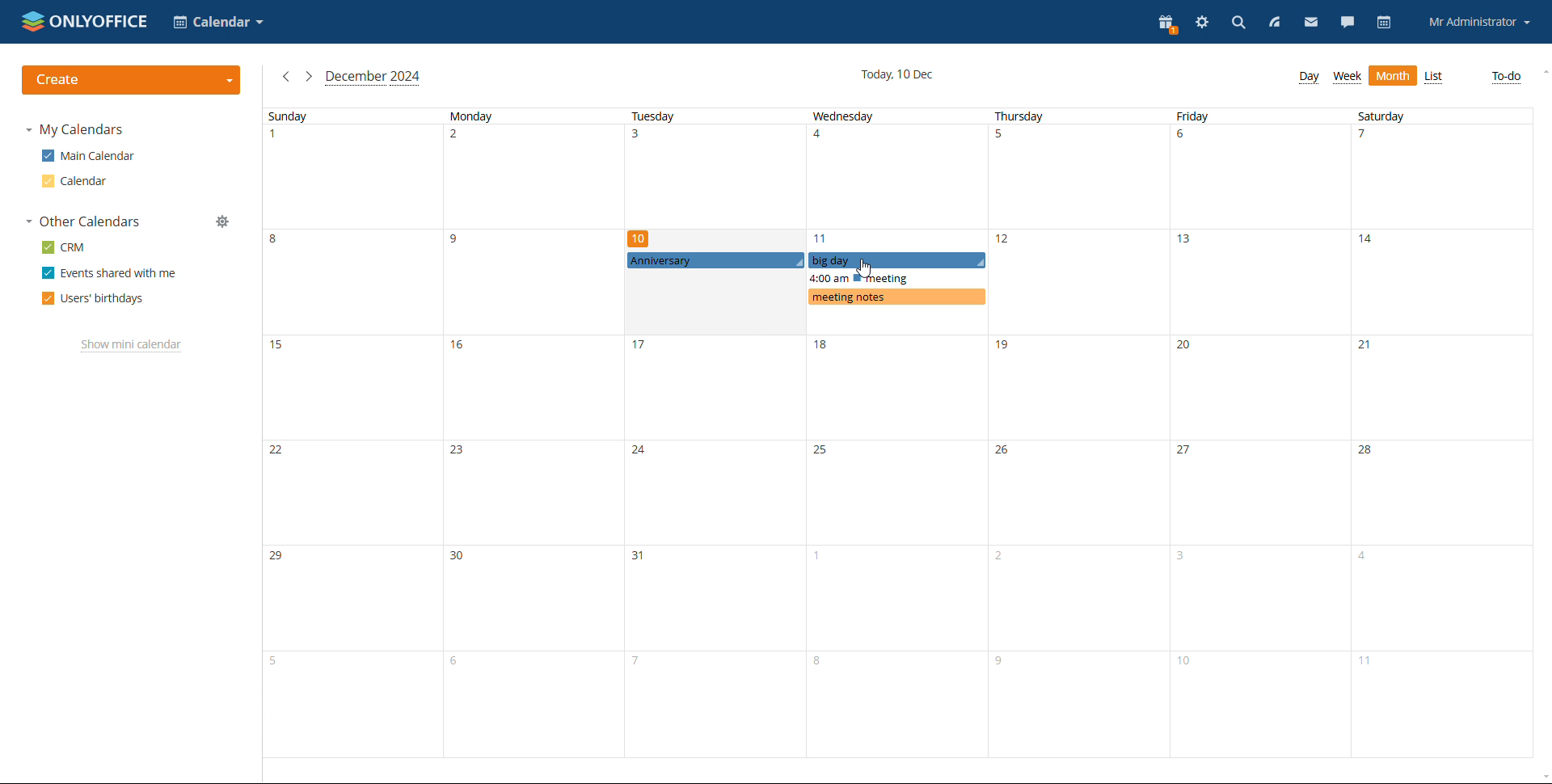  Describe the element at coordinates (76, 181) in the screenshot. I see `calendar` at that location.